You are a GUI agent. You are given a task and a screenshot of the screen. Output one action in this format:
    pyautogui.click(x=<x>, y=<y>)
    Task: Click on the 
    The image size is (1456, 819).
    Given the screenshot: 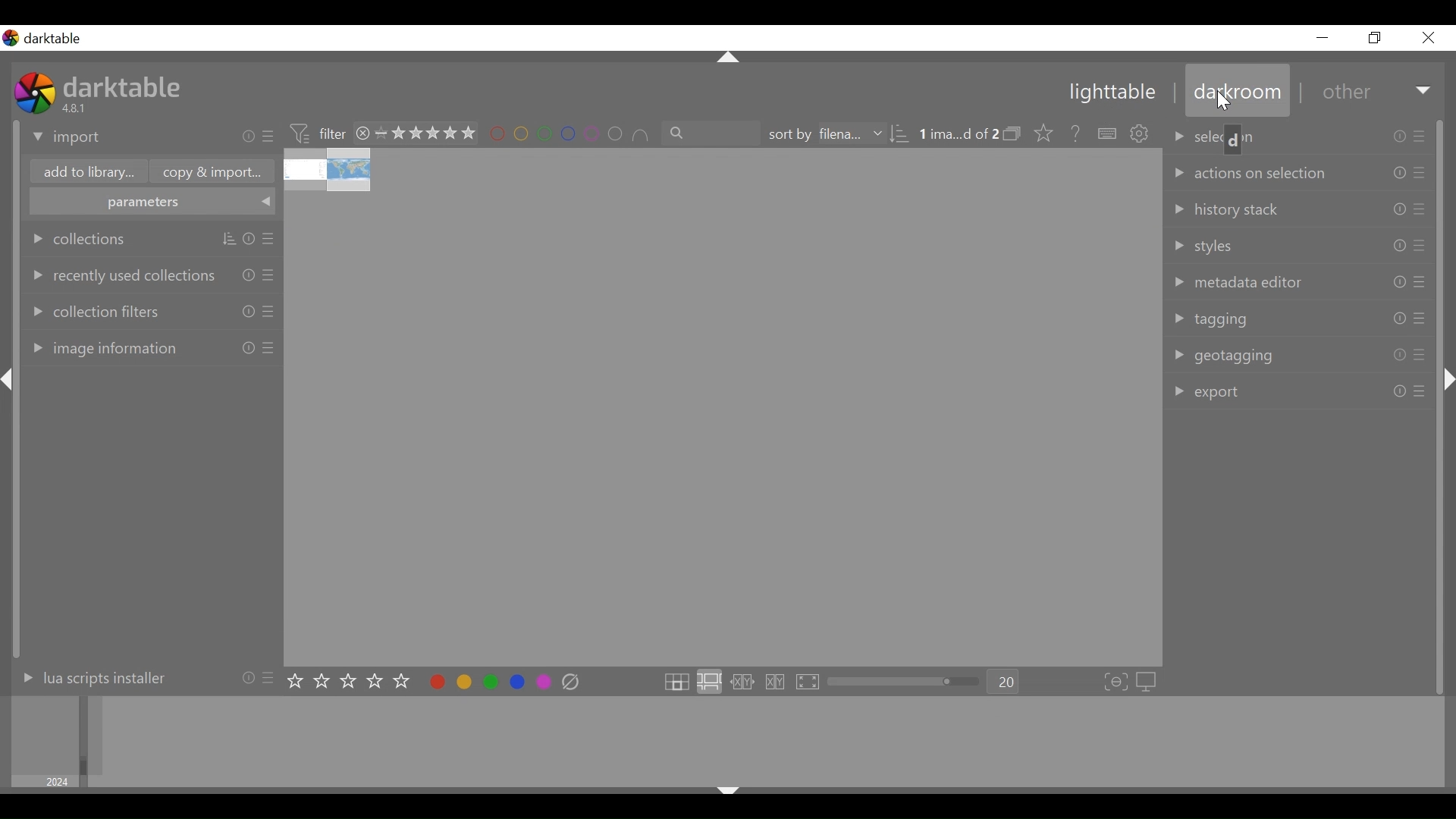 What is the action you would take?
    pyautogui.click(x=729, y=794)
    